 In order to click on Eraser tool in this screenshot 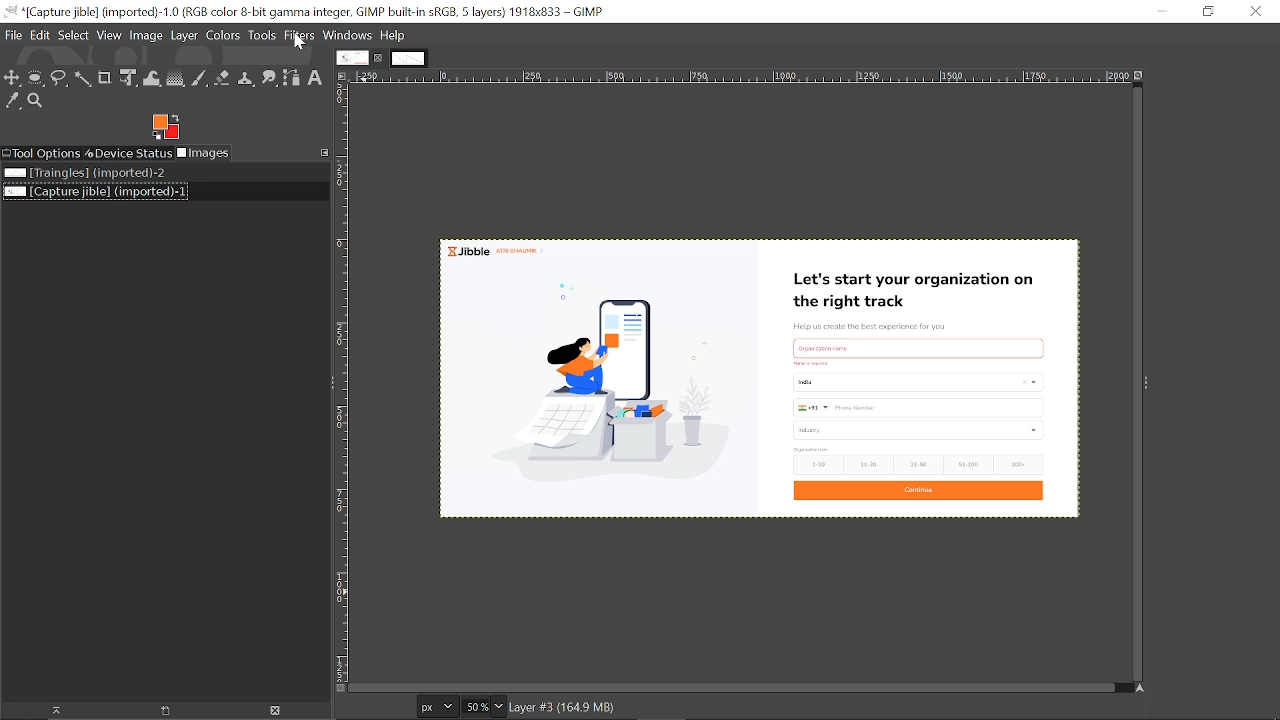, I will do `click(225, 79)`.